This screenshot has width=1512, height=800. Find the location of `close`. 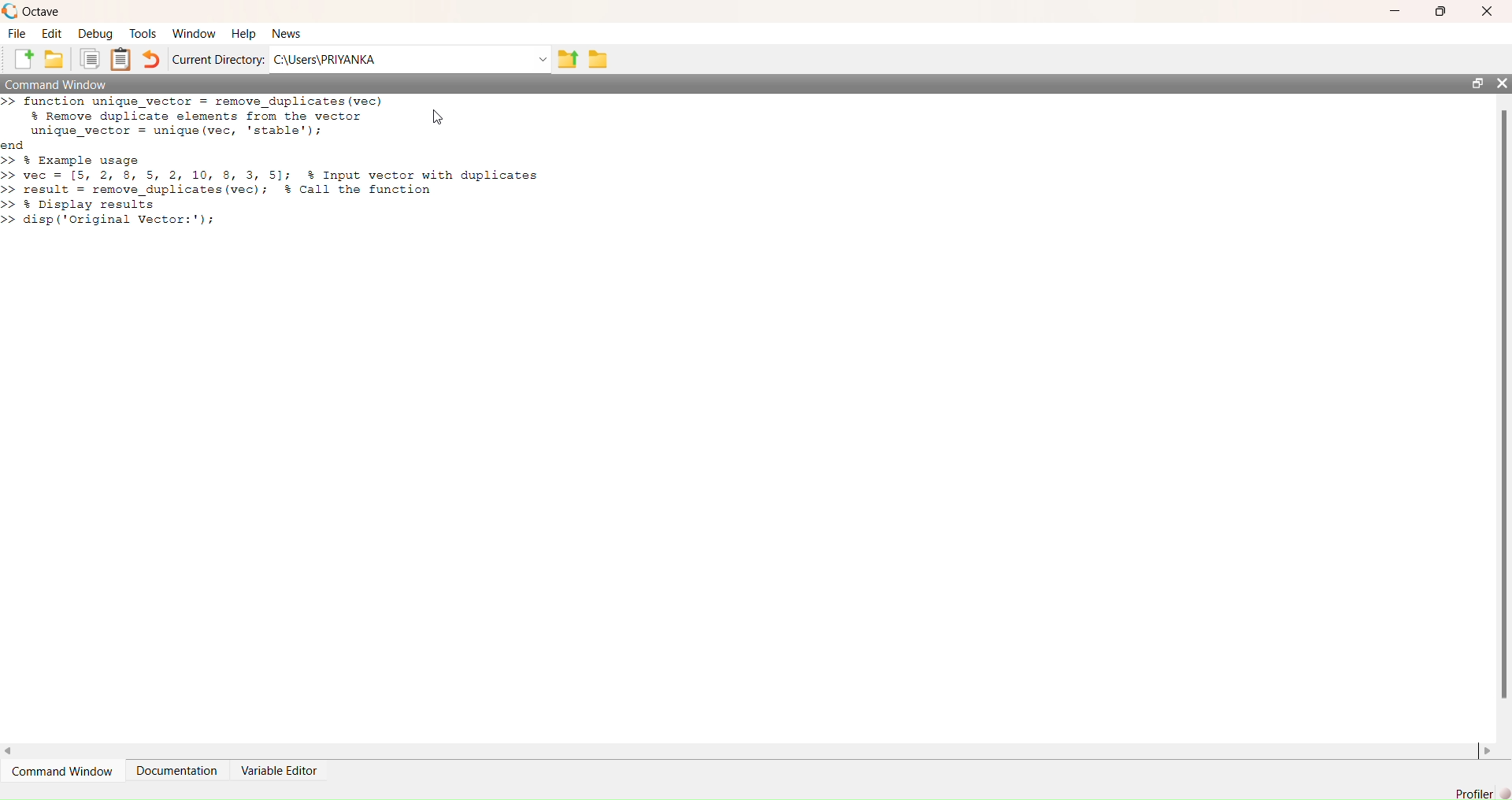

close is located at coordinates (1488, 11).